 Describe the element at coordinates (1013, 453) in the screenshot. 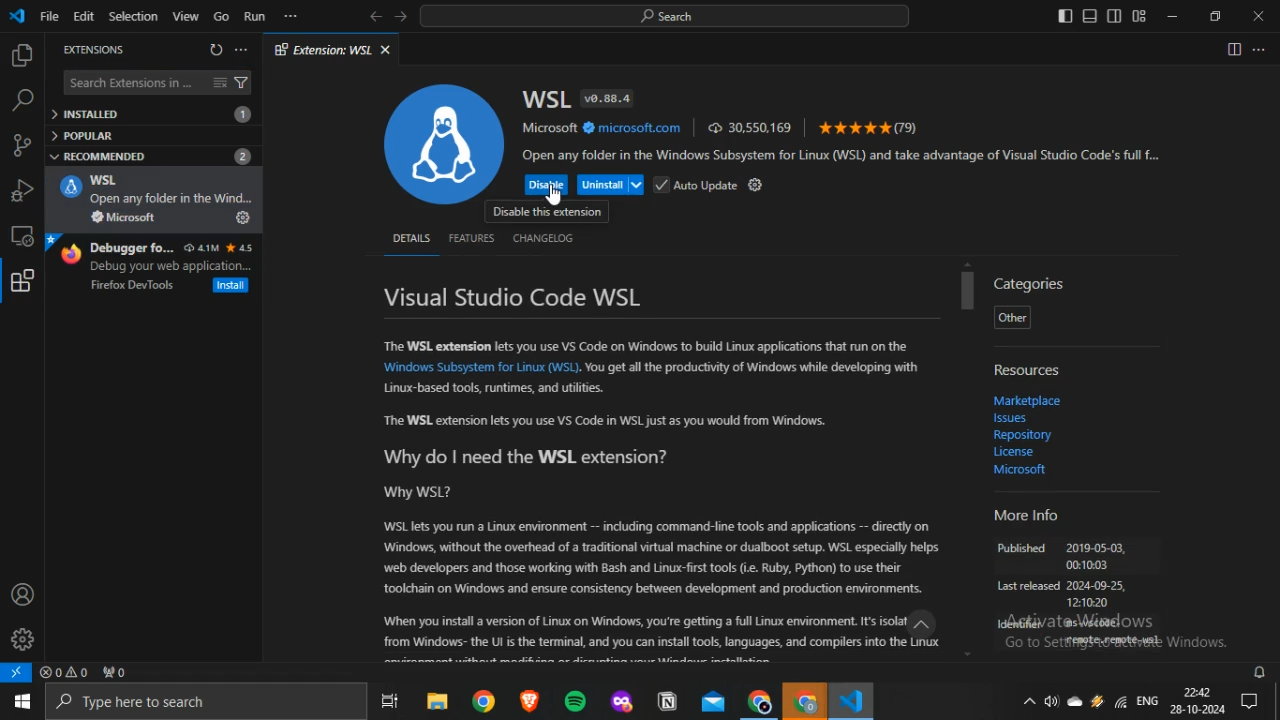

I see `Licence` at that location.